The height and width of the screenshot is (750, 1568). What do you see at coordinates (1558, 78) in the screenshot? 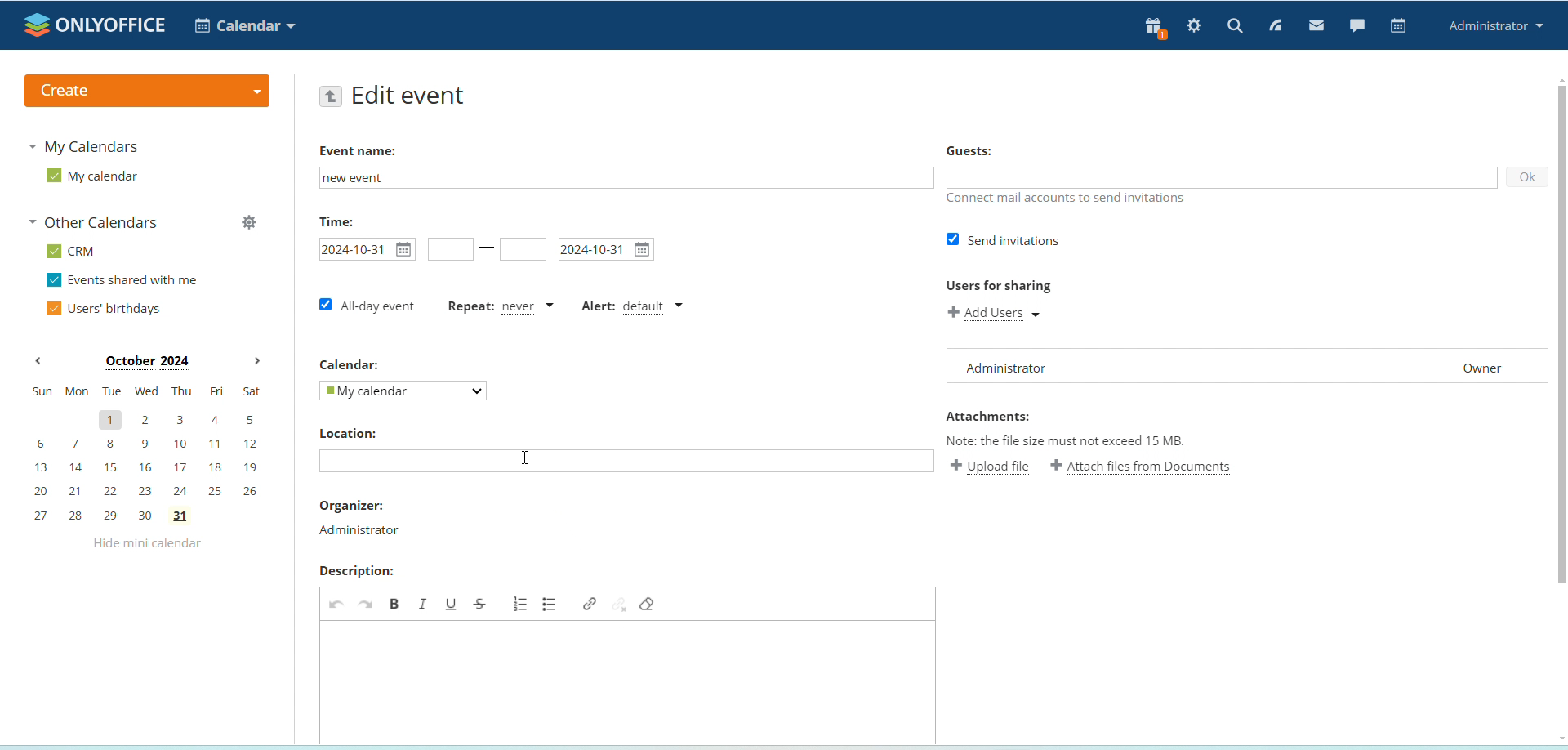
I see `Scroll up` at bounding box center [1558, 78].